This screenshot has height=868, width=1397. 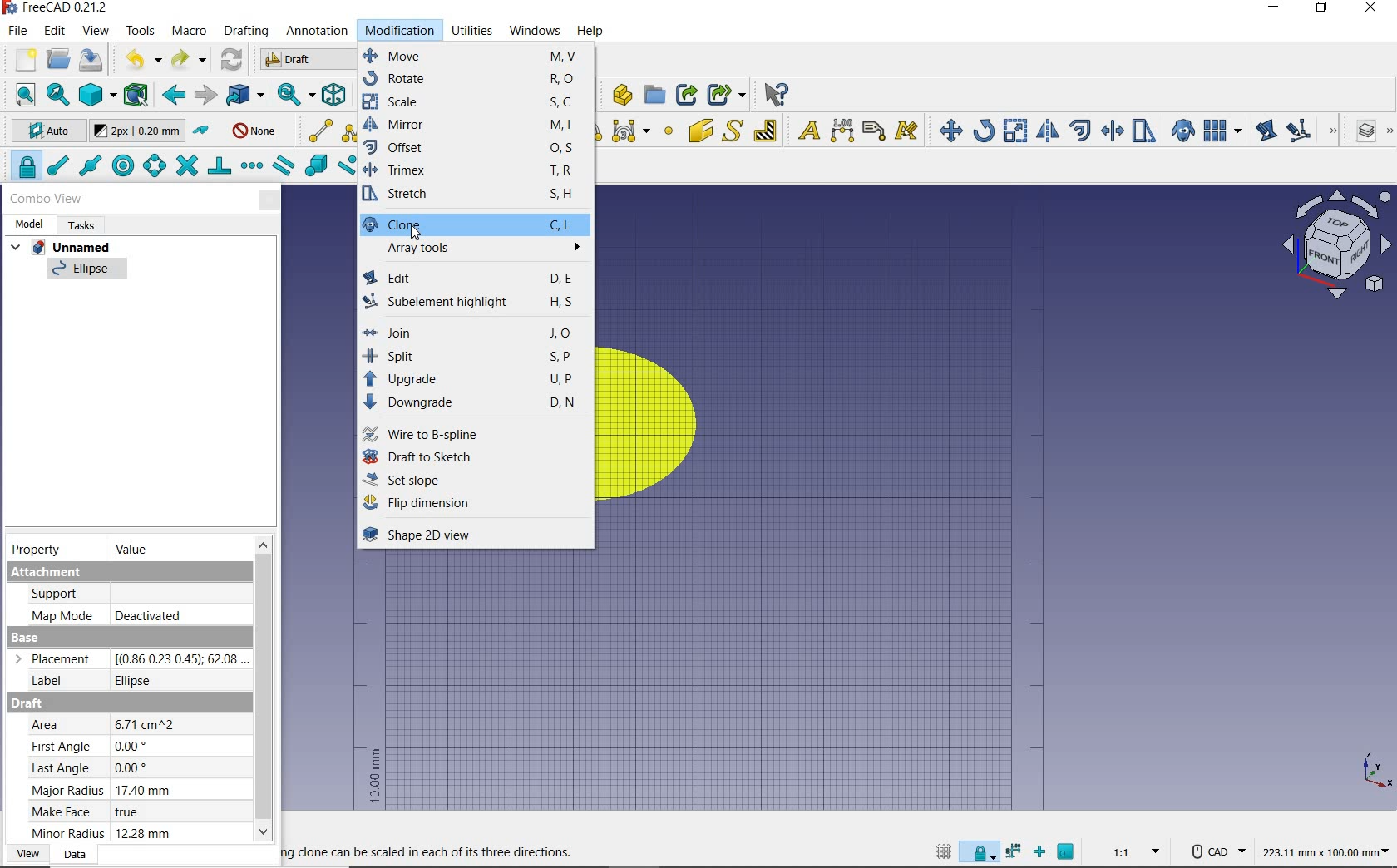 I want to click on snap perpendicular, so click(x=220, y=169).